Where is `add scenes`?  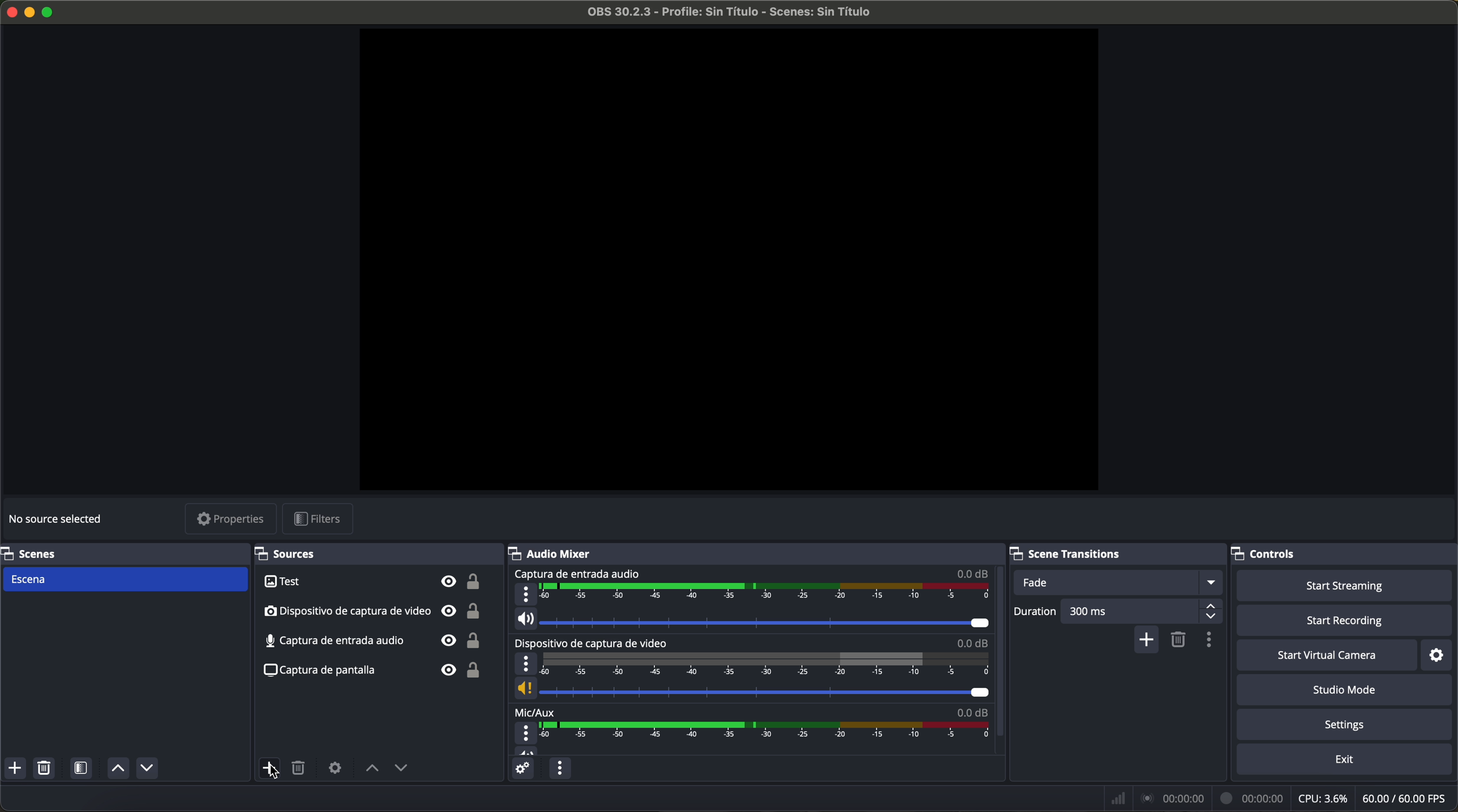
add scenes is located at coordinates (14, 768).